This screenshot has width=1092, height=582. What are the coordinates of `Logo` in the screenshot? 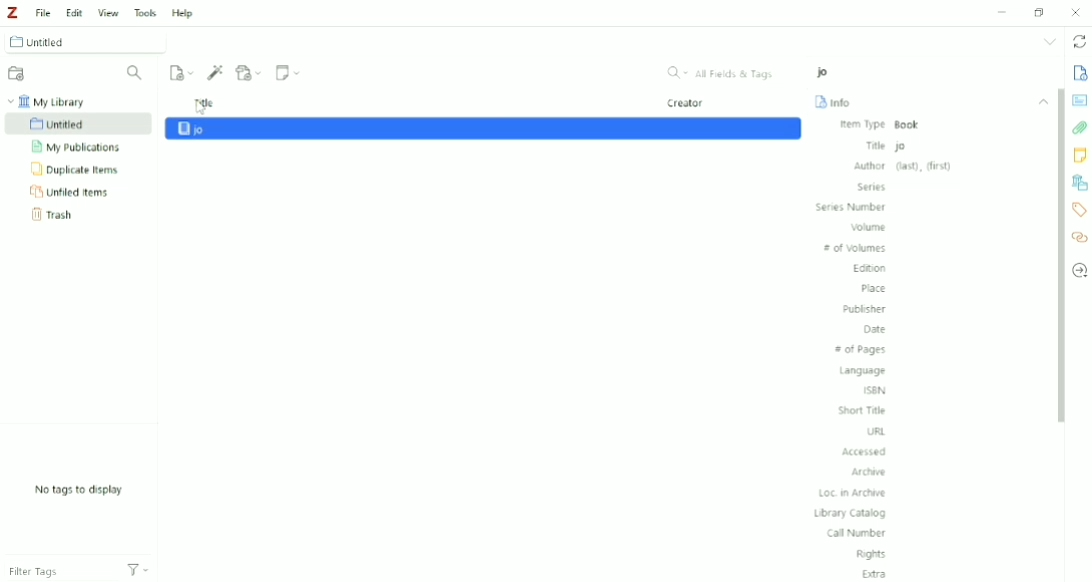 It's located at (12, 13).